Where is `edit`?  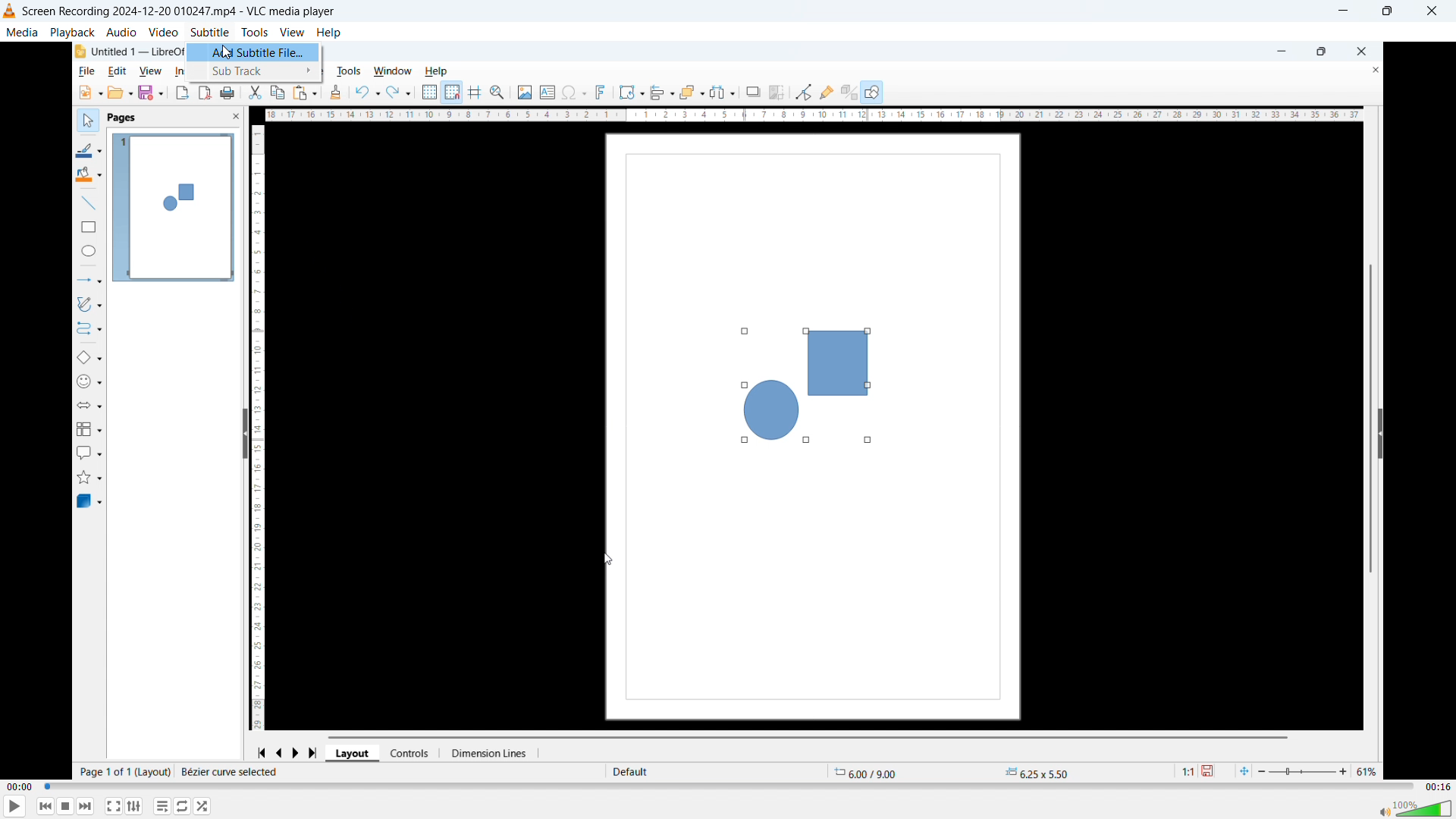 edit is located at coordinates (115, 72).